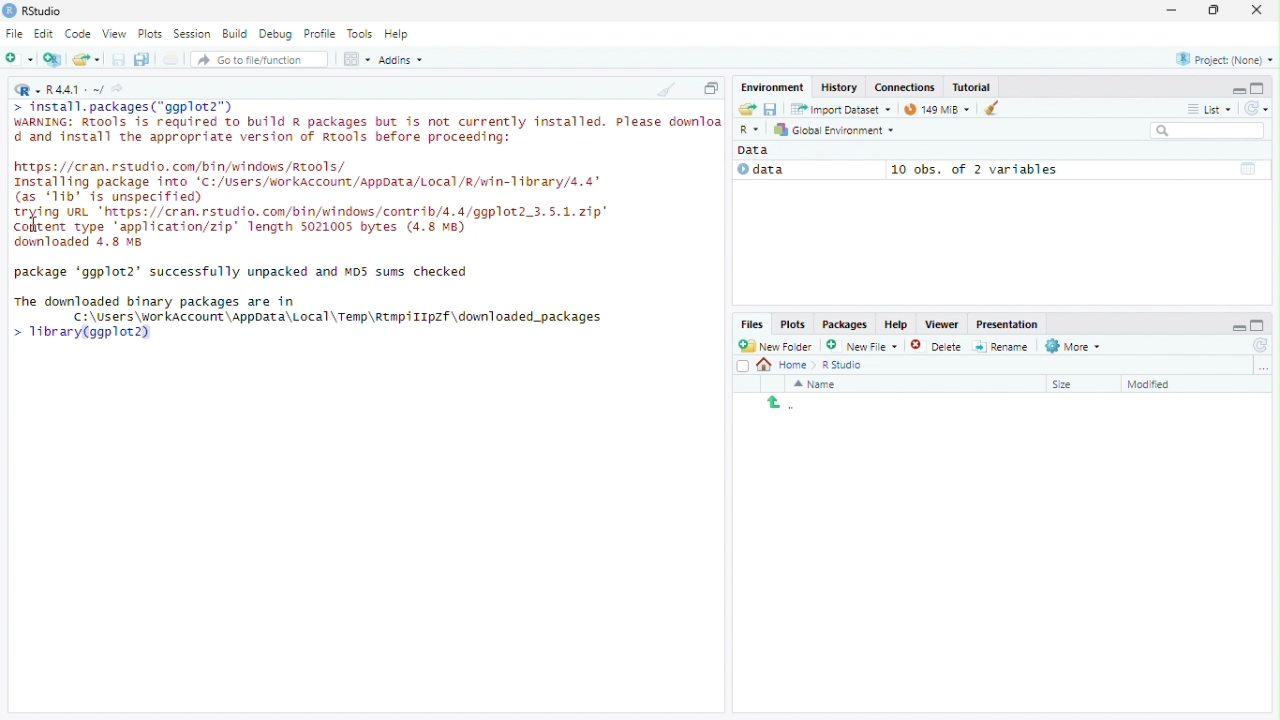 The width and height of the screenshot is (1280, 720). What do you see at coordinates (401, 59) in the screenshot?
I see `Addins` at bounding box center [401, 59].